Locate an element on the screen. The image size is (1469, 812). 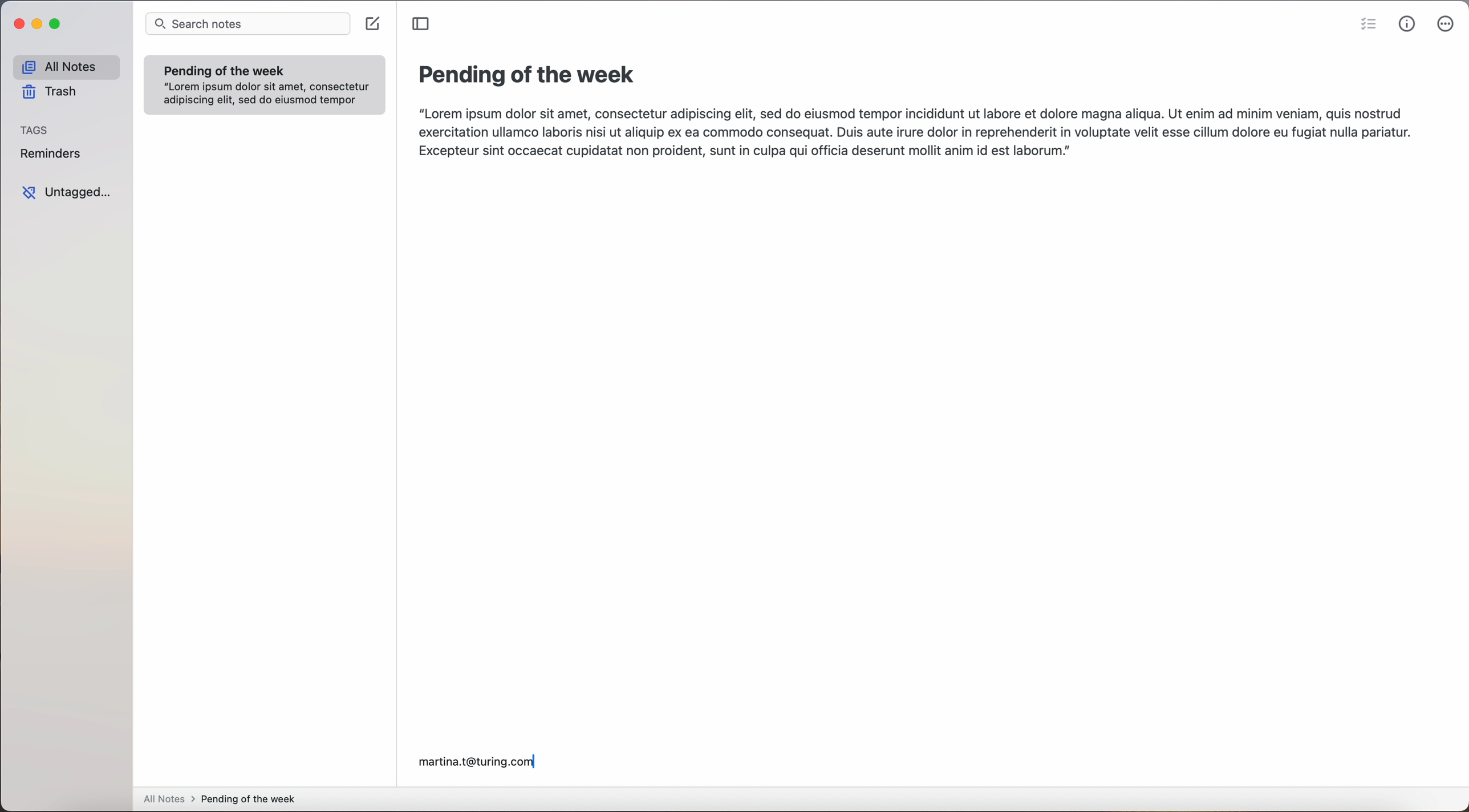
all notes is located at coordinates (66, 66).